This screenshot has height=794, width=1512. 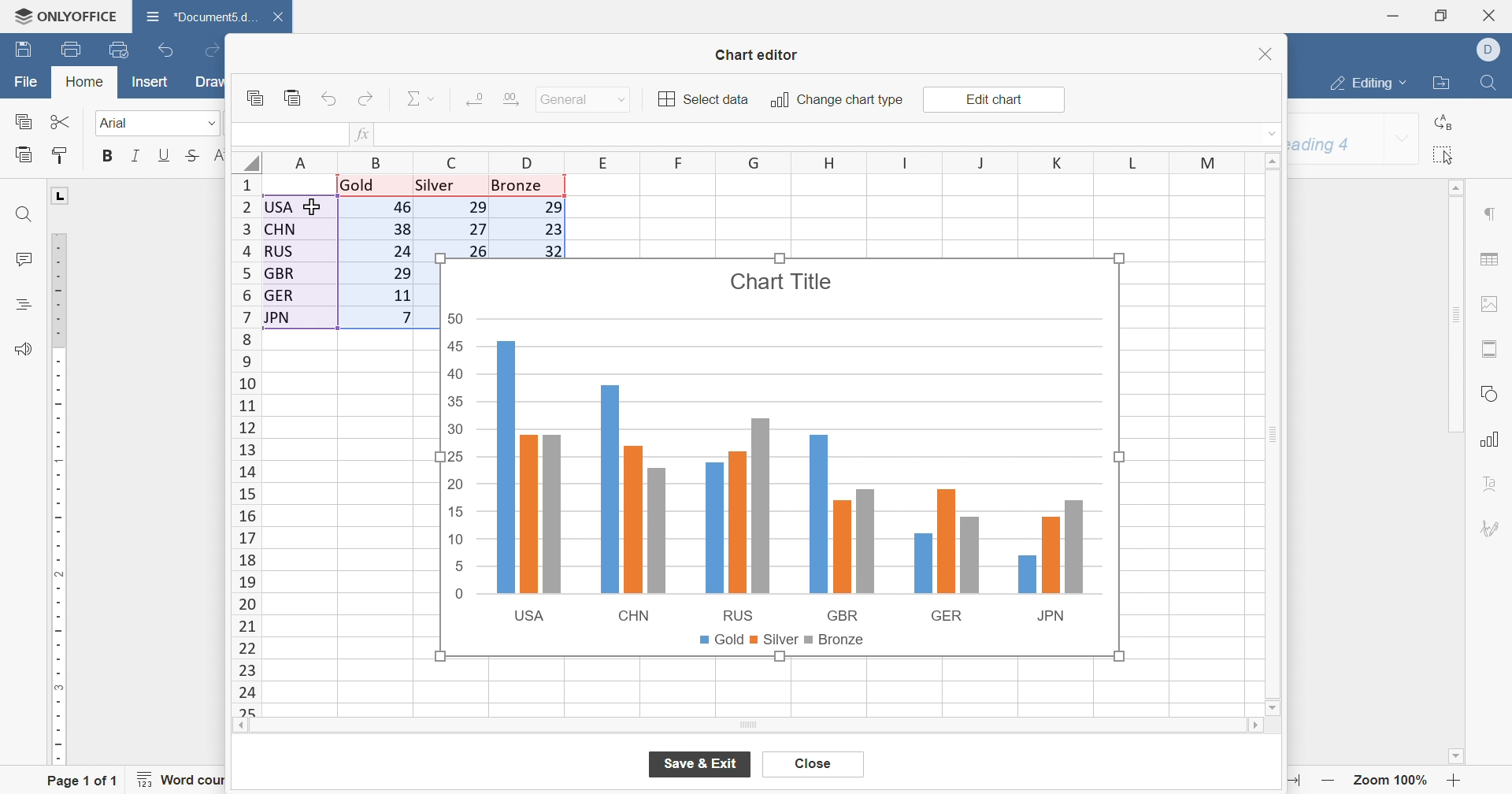 I want to click on chart settings, so click(x=1492, y=440).